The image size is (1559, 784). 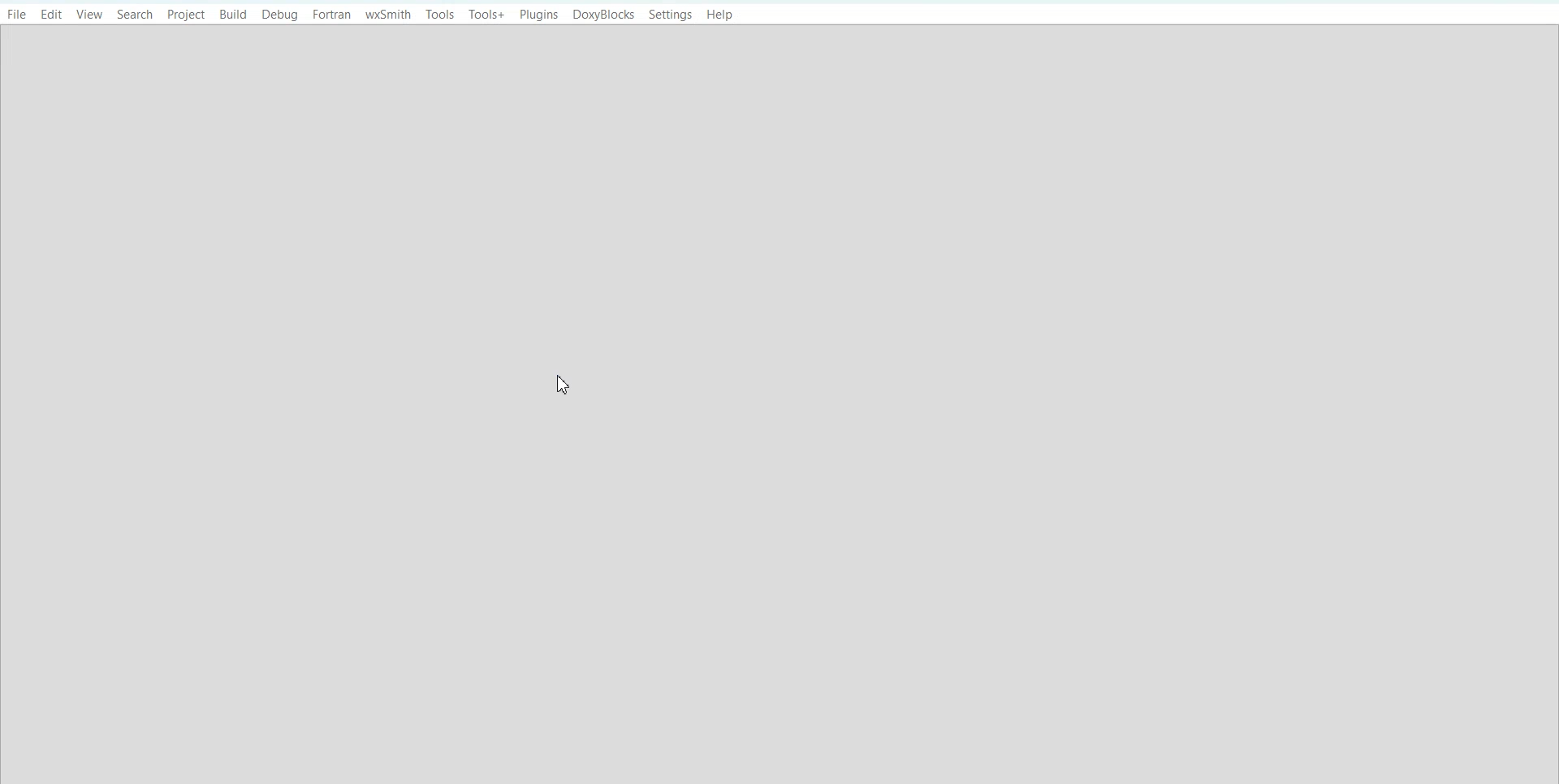 What do you see at coordinates (136, 14) in the screenshot?
I see `Search` at bounding box center [136, 14].